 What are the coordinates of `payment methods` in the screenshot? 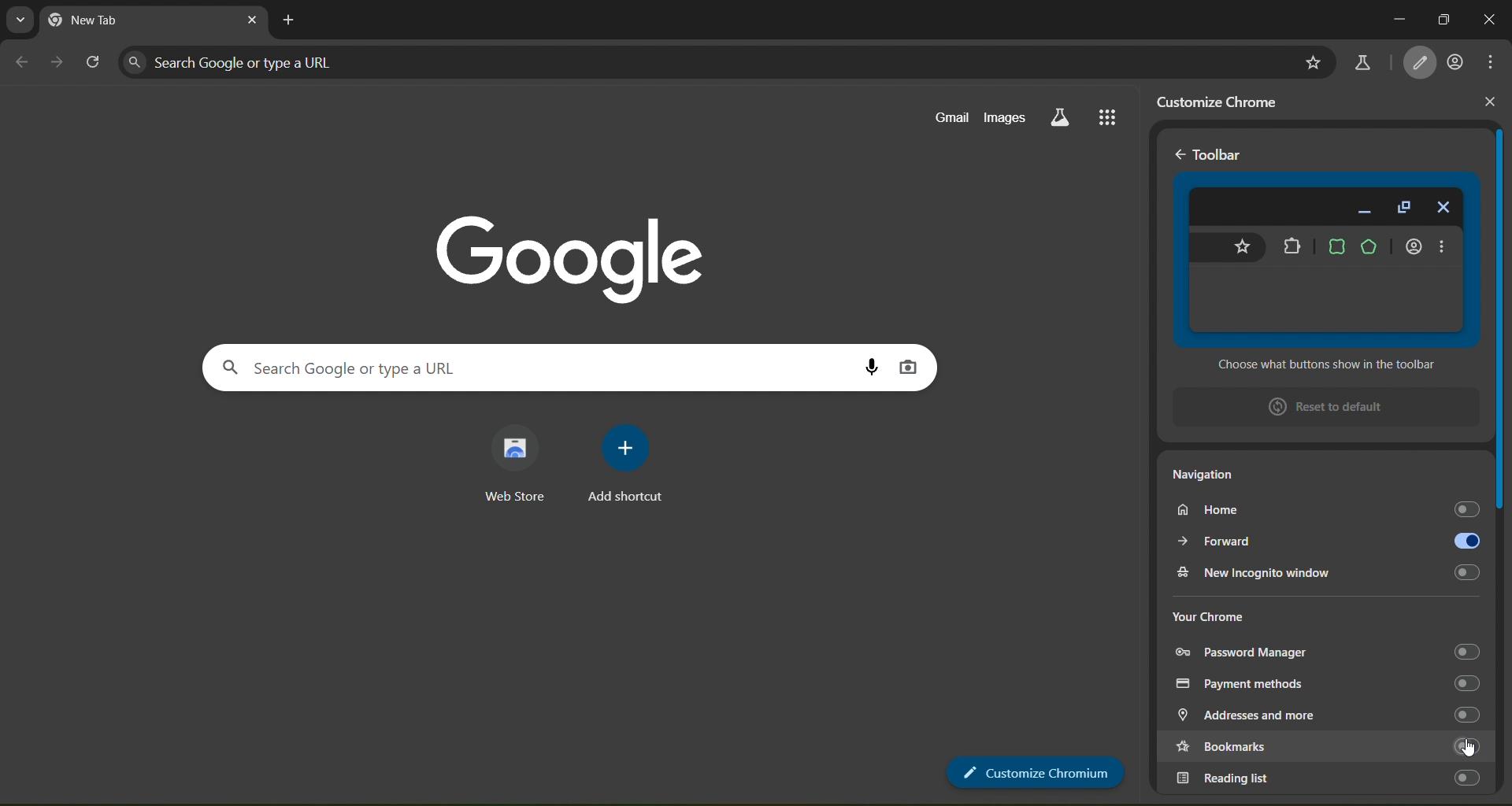 It's located at (1331, 683).